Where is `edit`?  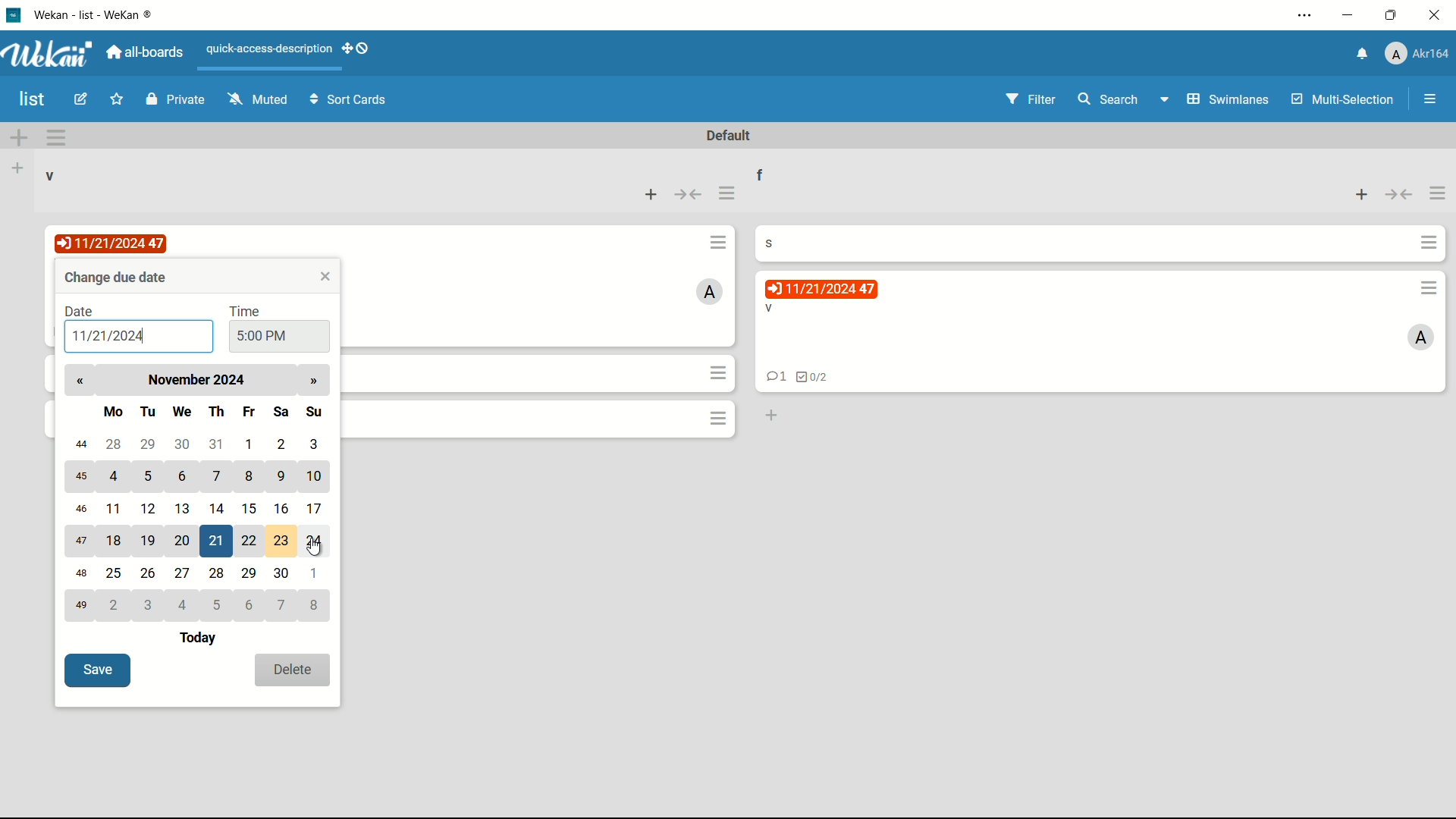 edit is located at coordinates (83, 101).